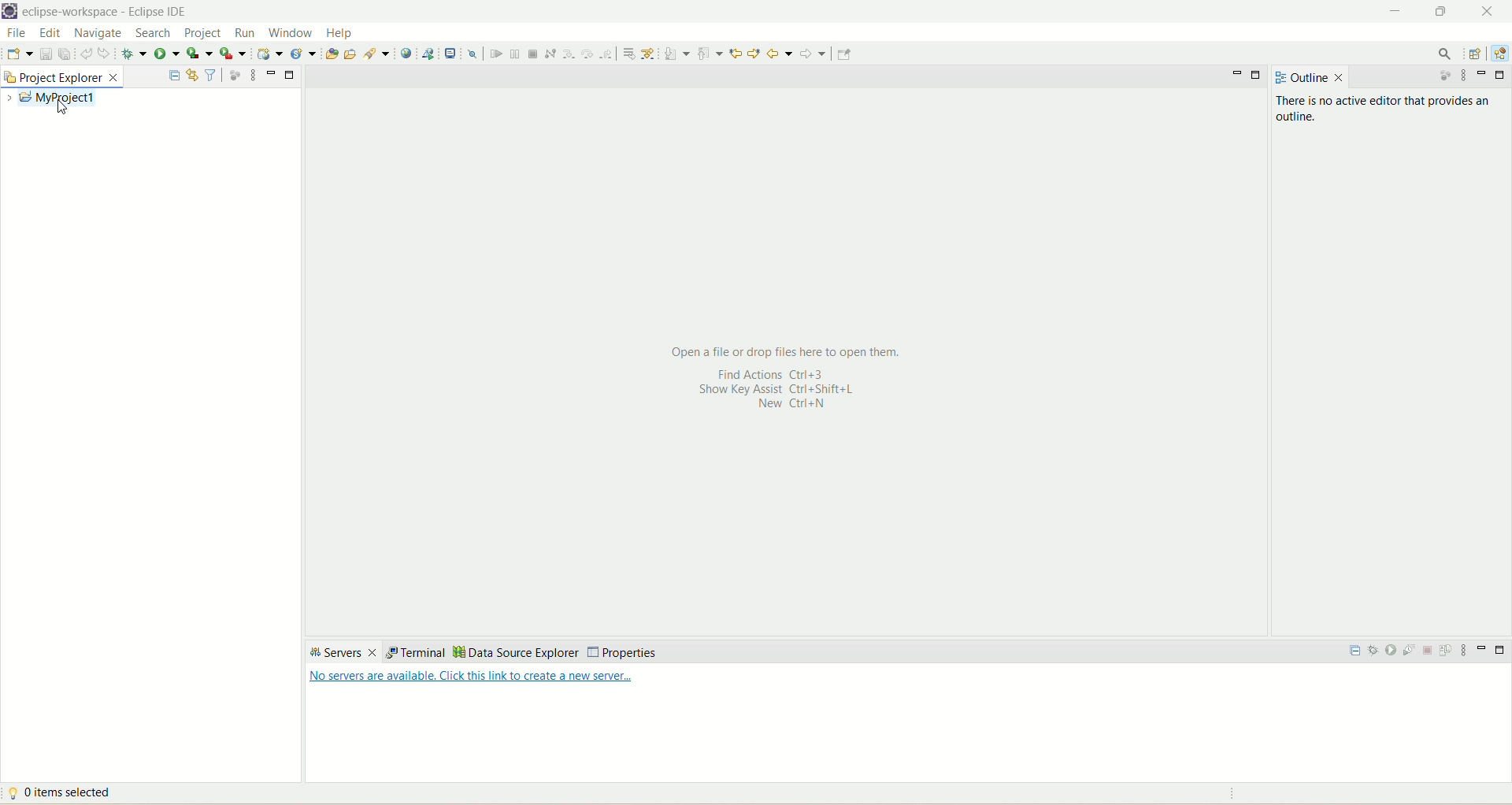 The height and width of the screenshot is (805, 1512). I want to click on run, so click(246, 34).